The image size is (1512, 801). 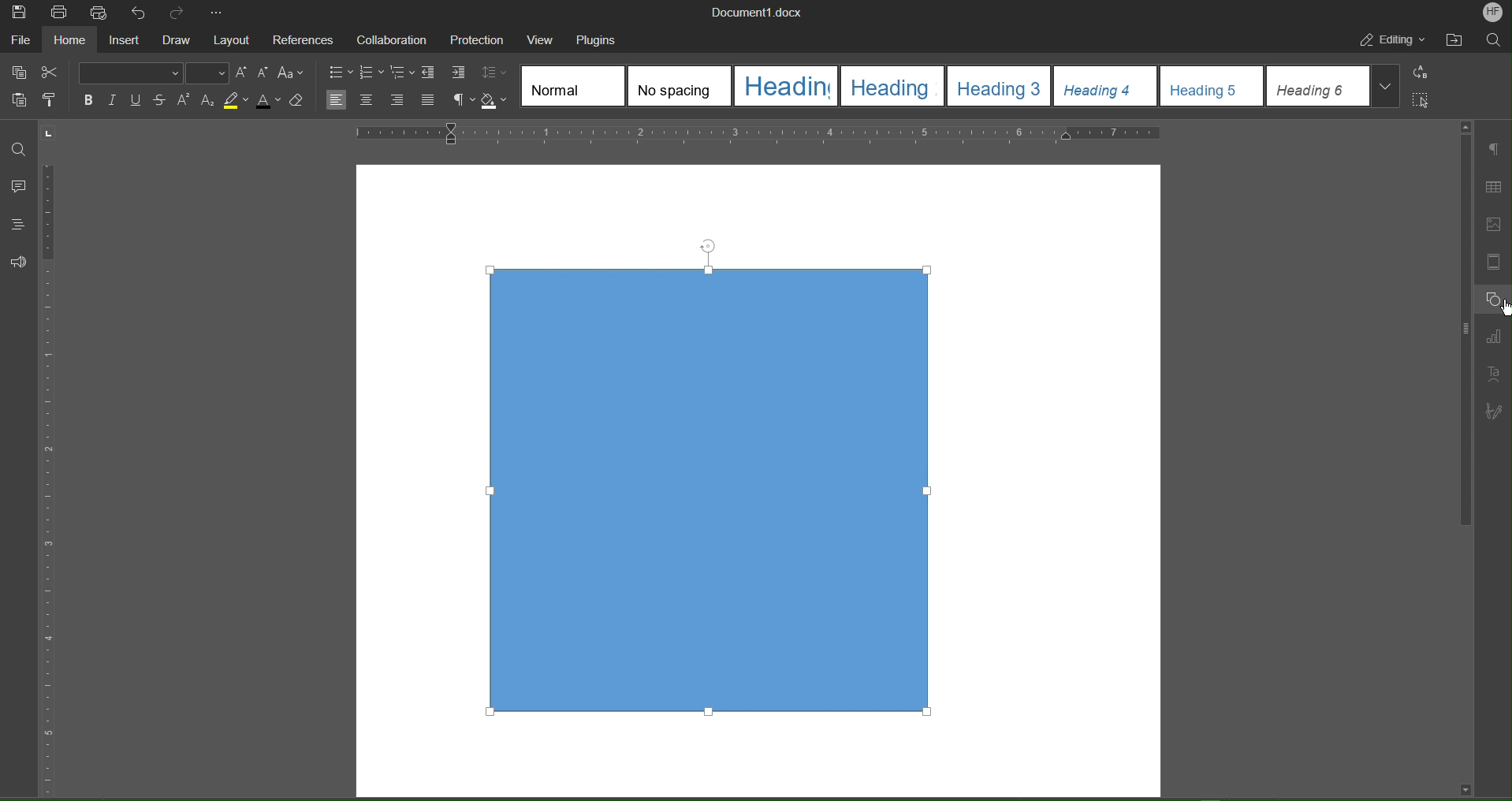 I want to click on Editing, so click(x=1391, y=42).